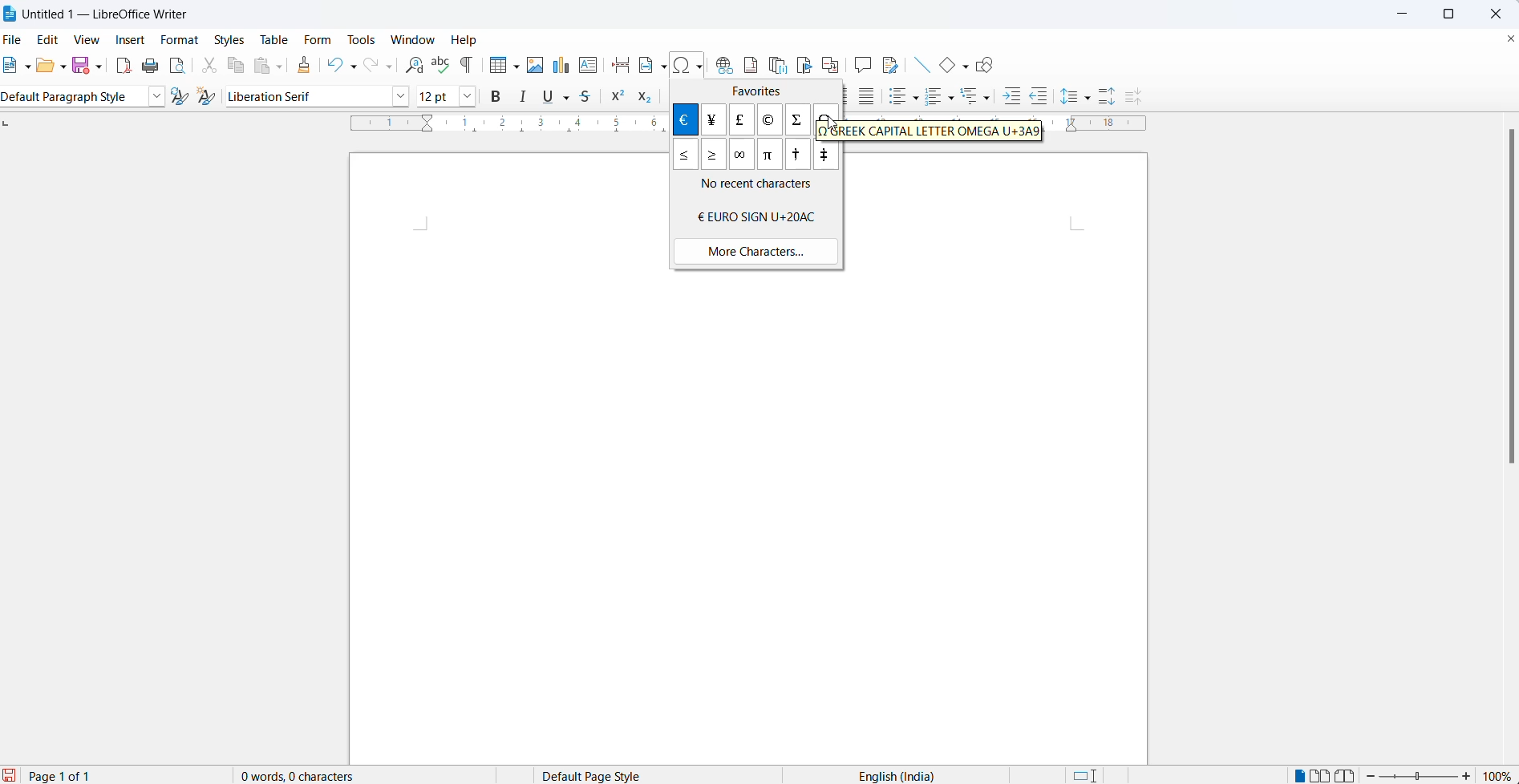 The width and height of the screenshot is (1519, 784). I want to click on paragraph style, so click(152, 97).